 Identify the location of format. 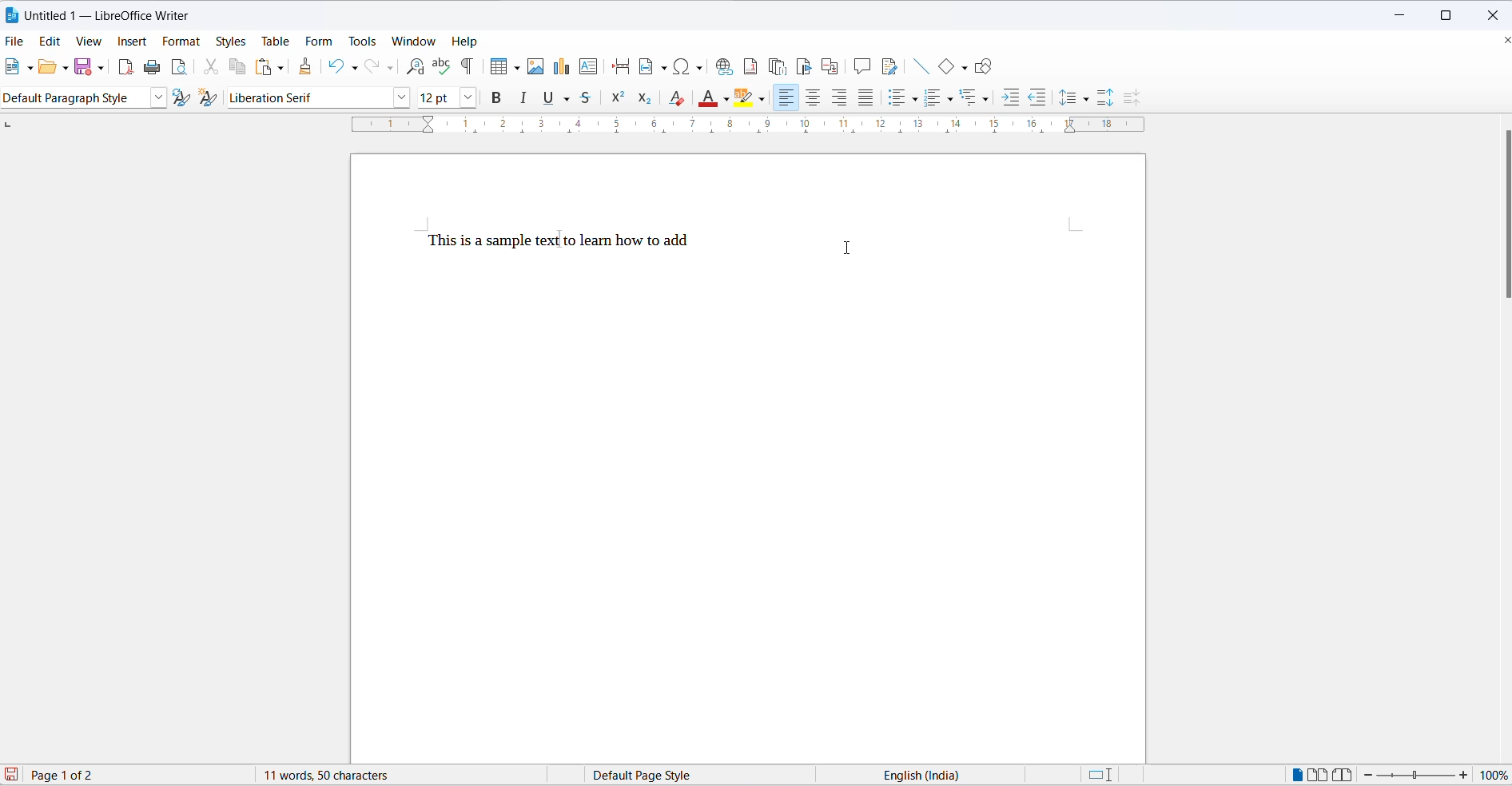
(183, 43).